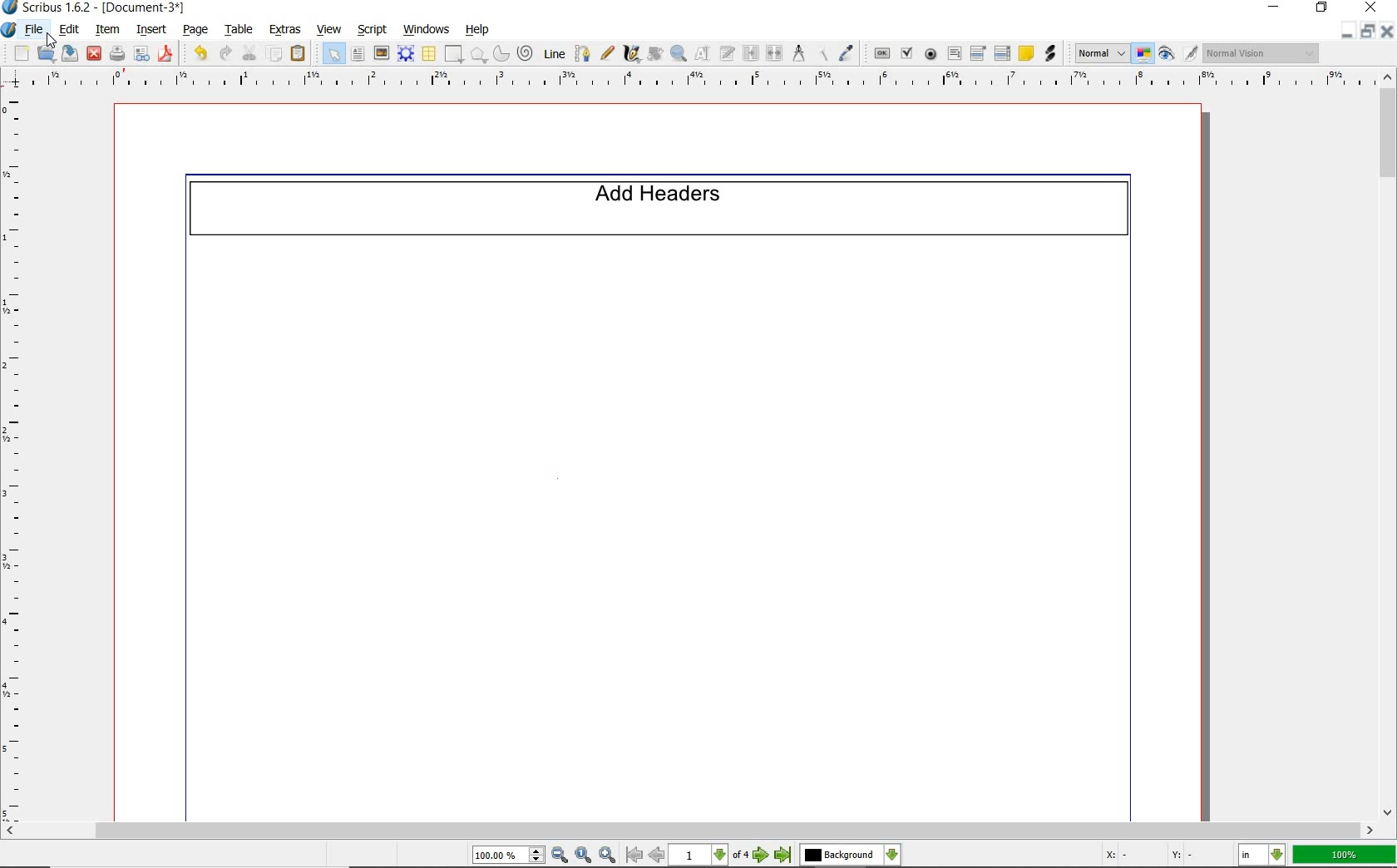  I want to click on edit contents of frame, so click(703, 53).